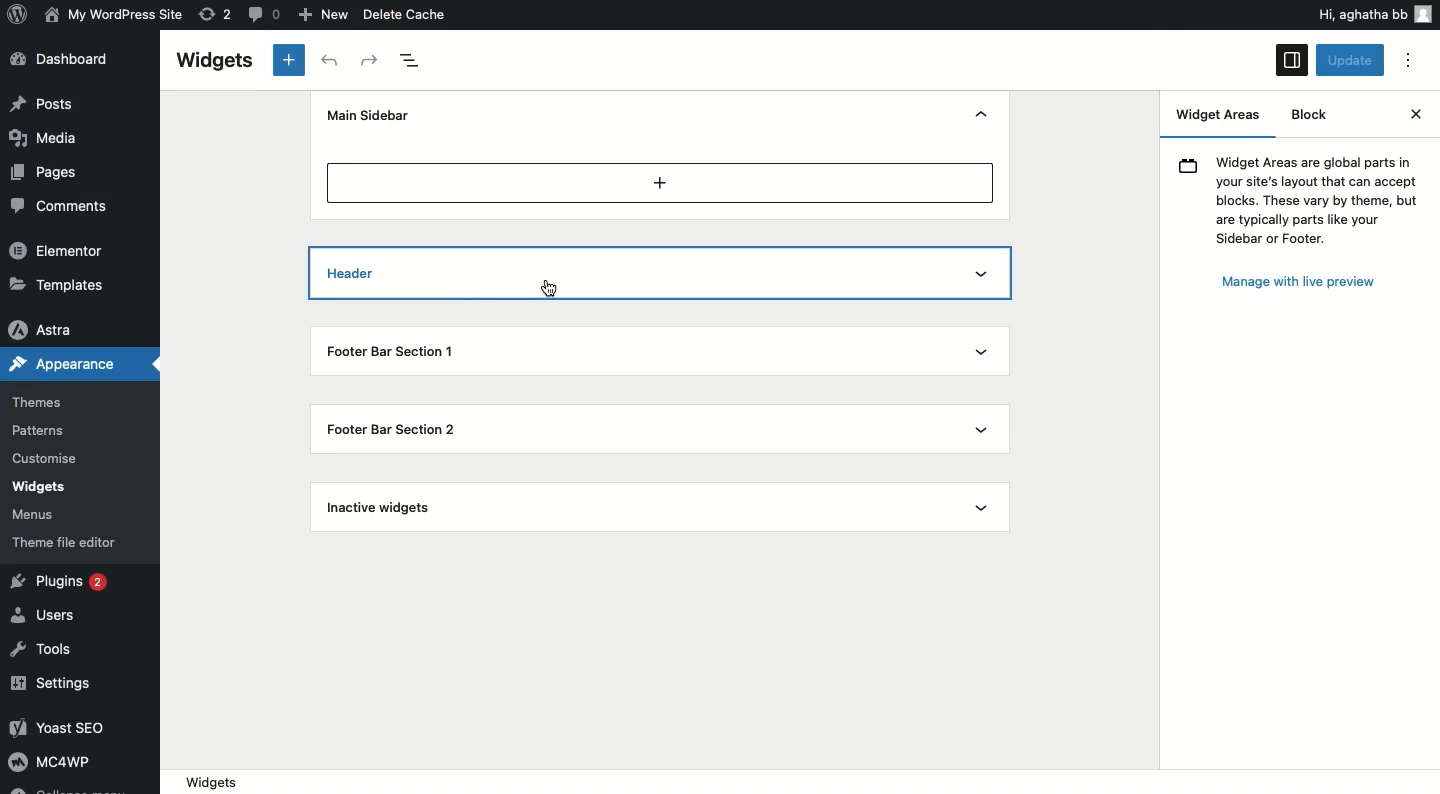 Image resolution: width=1440 pixels, height=794 pixels. I want to click on Inactive widgets, so click(382, 509).